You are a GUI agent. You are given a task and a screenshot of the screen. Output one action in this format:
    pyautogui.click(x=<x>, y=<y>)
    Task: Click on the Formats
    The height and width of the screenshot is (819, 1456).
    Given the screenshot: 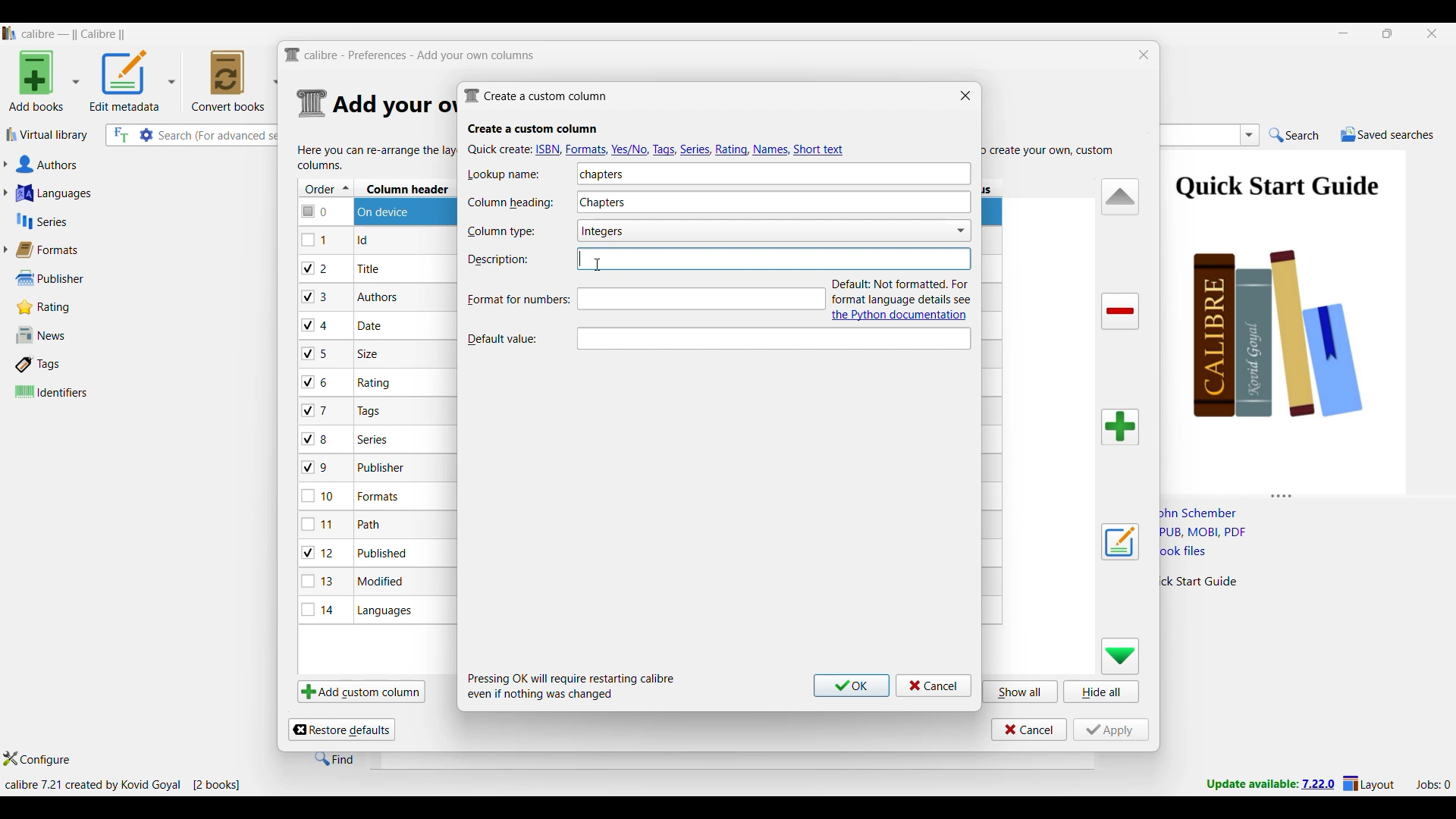 What is the action you would take?
    pyautogui.click(x=54, y=249)
    